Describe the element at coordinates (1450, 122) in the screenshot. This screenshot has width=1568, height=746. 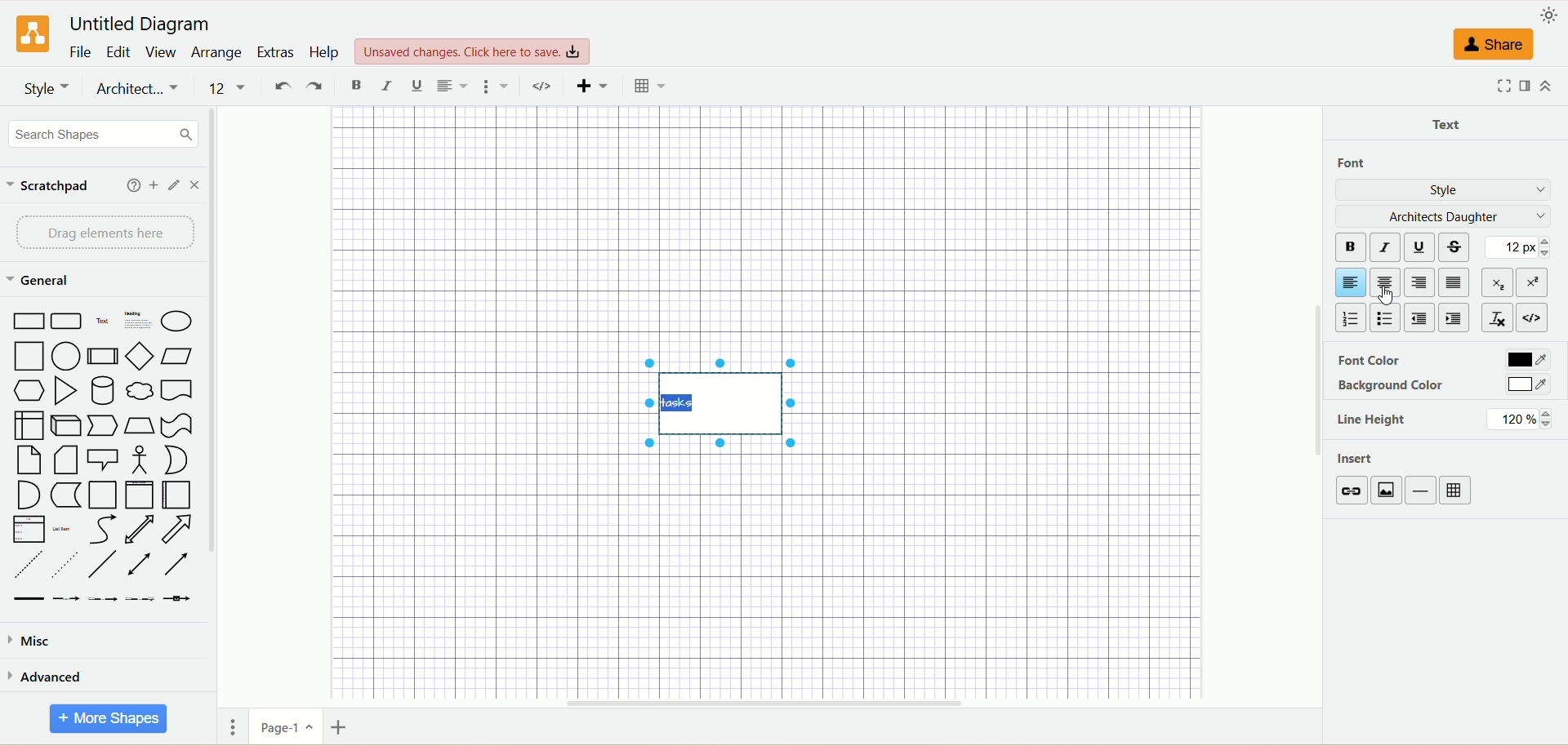
I see `text` at that location.